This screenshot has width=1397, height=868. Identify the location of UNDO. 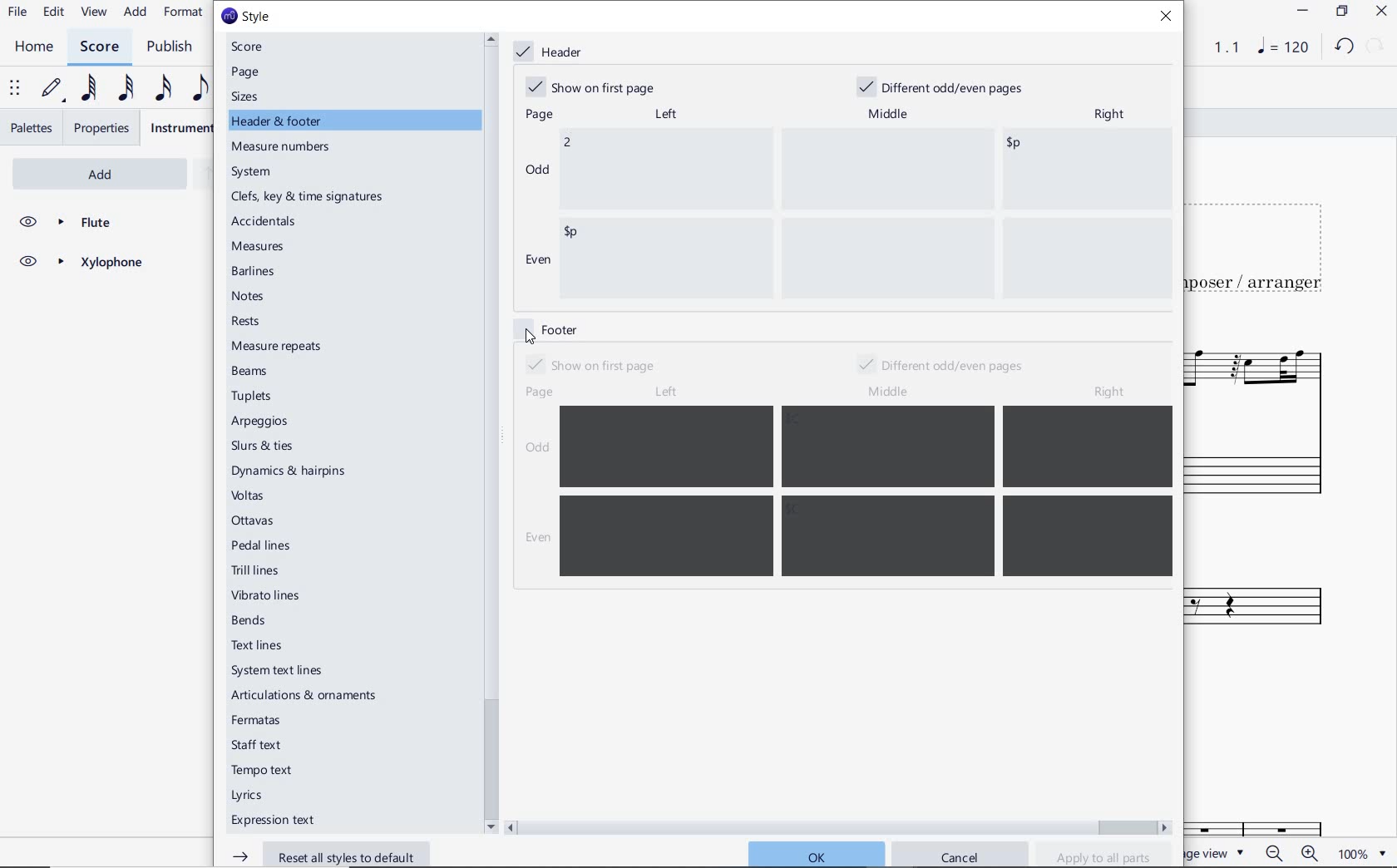
(1343, 47).